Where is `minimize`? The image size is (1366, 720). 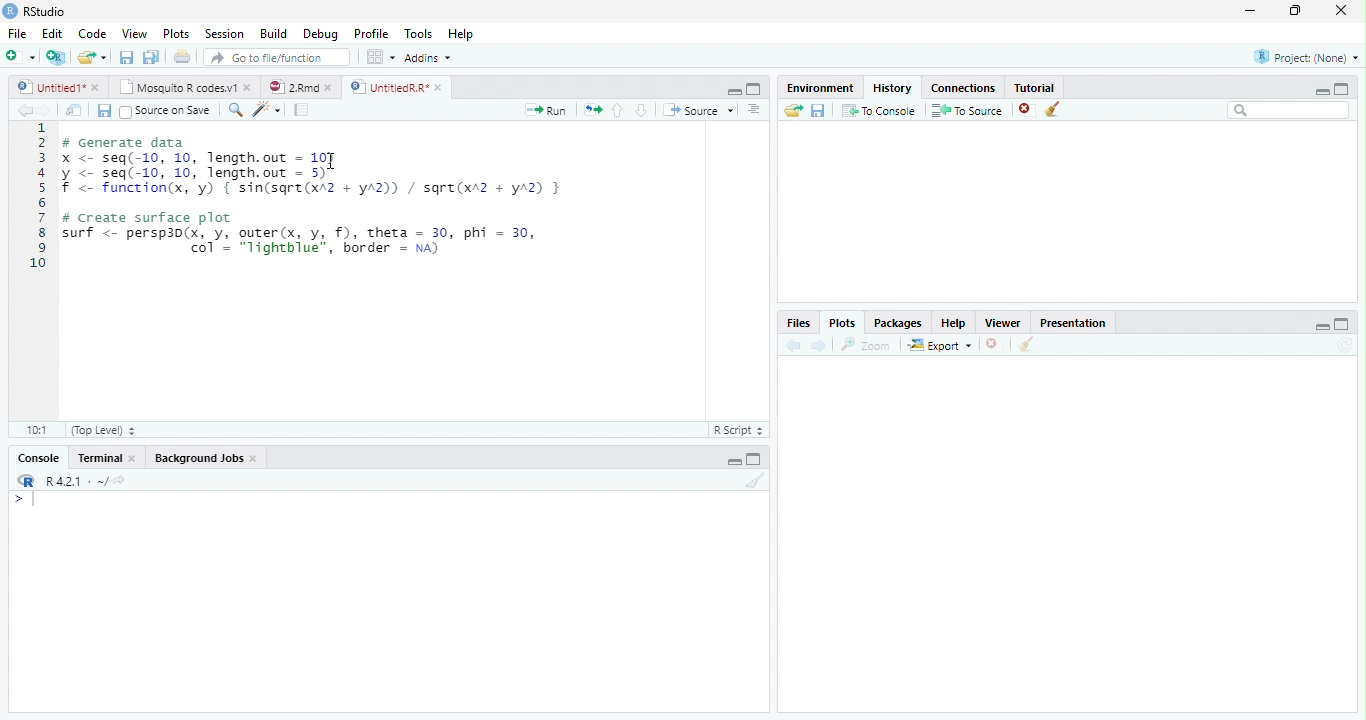 minimize is located at coordinates (1322, 91).